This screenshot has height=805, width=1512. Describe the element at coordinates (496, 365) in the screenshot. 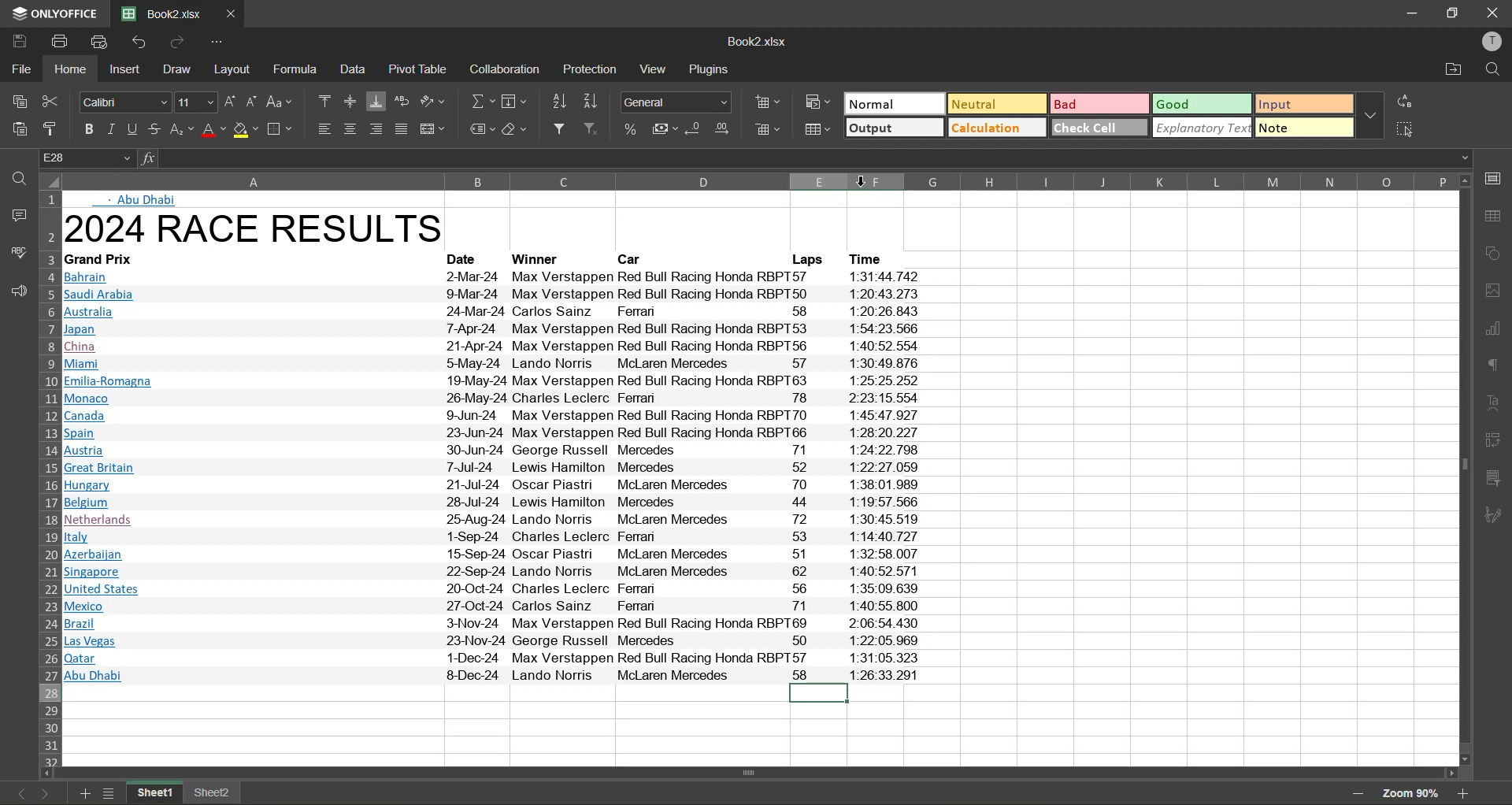

I see `| Miami S>-May-24 Lando Norris McLaren Mercedes o7 1:30:49.876` at that location.